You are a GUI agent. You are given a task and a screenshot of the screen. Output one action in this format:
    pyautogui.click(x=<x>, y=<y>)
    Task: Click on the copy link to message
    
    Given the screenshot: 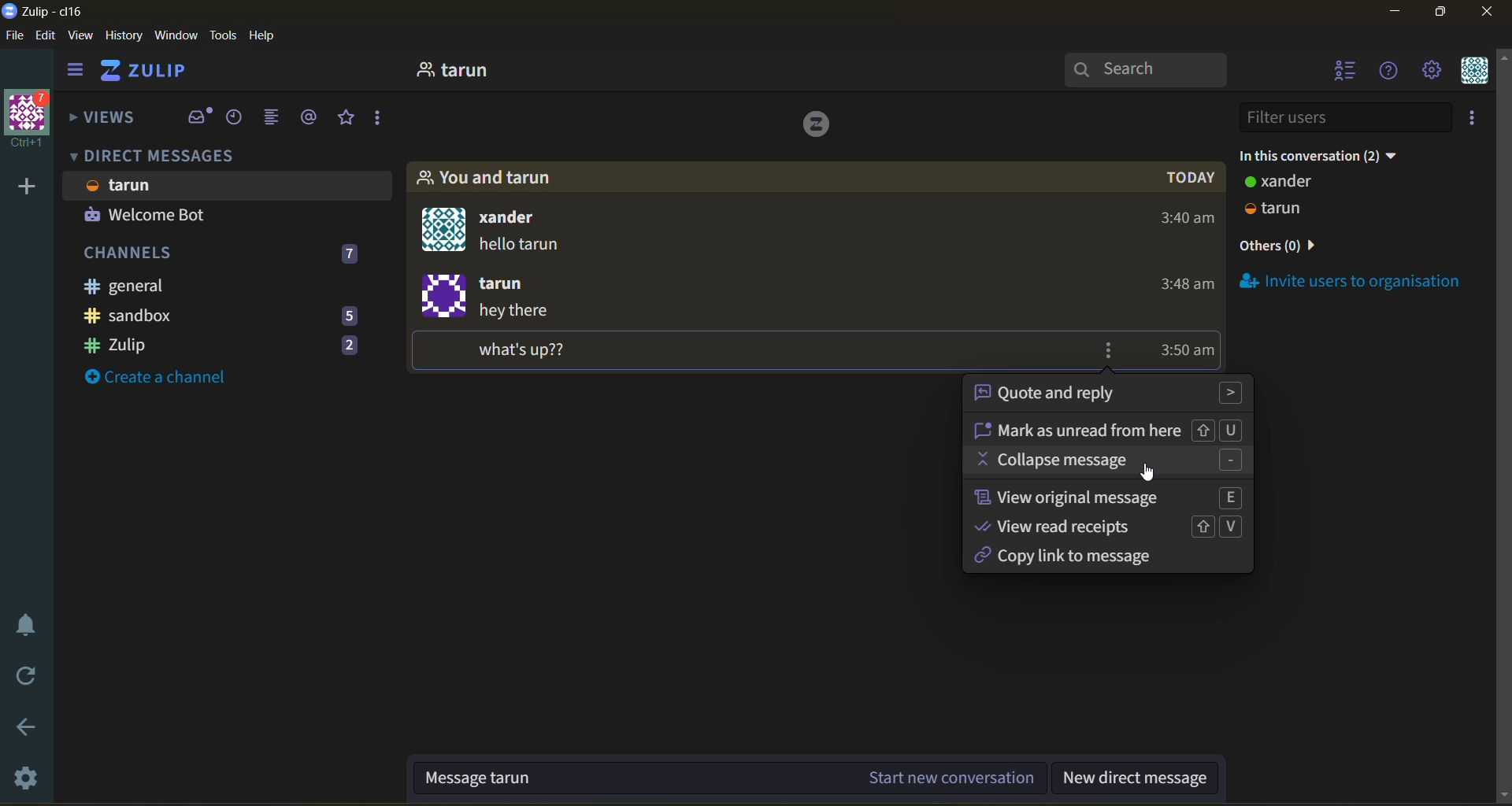 What is the action you would take?
    pyautogui.click(x=1090, y=558)
    